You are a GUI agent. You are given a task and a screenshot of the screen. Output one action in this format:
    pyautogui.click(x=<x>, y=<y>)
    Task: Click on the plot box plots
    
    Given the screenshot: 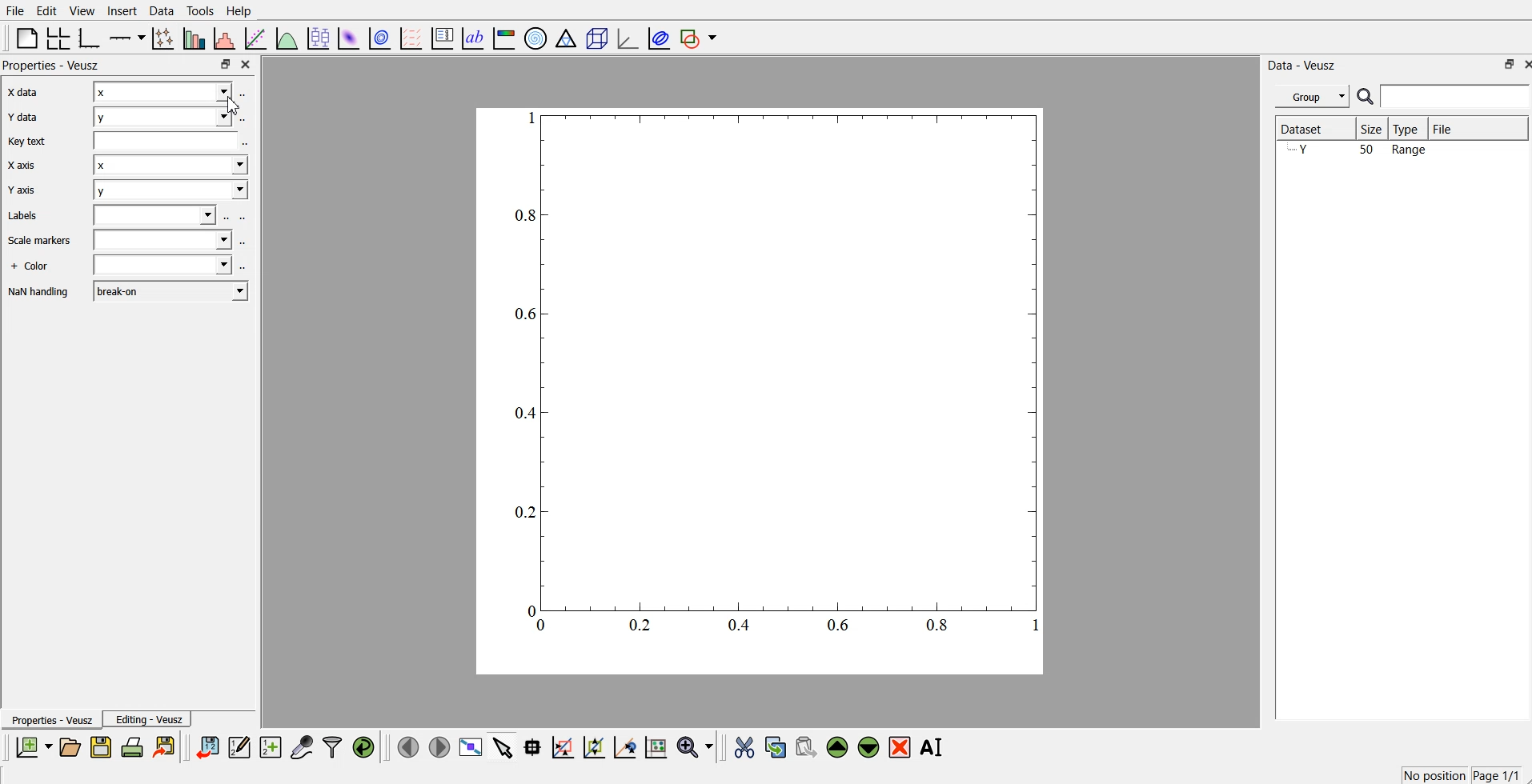 What is the action you would take?
    pyautogui.click(x=321, y=38)
    